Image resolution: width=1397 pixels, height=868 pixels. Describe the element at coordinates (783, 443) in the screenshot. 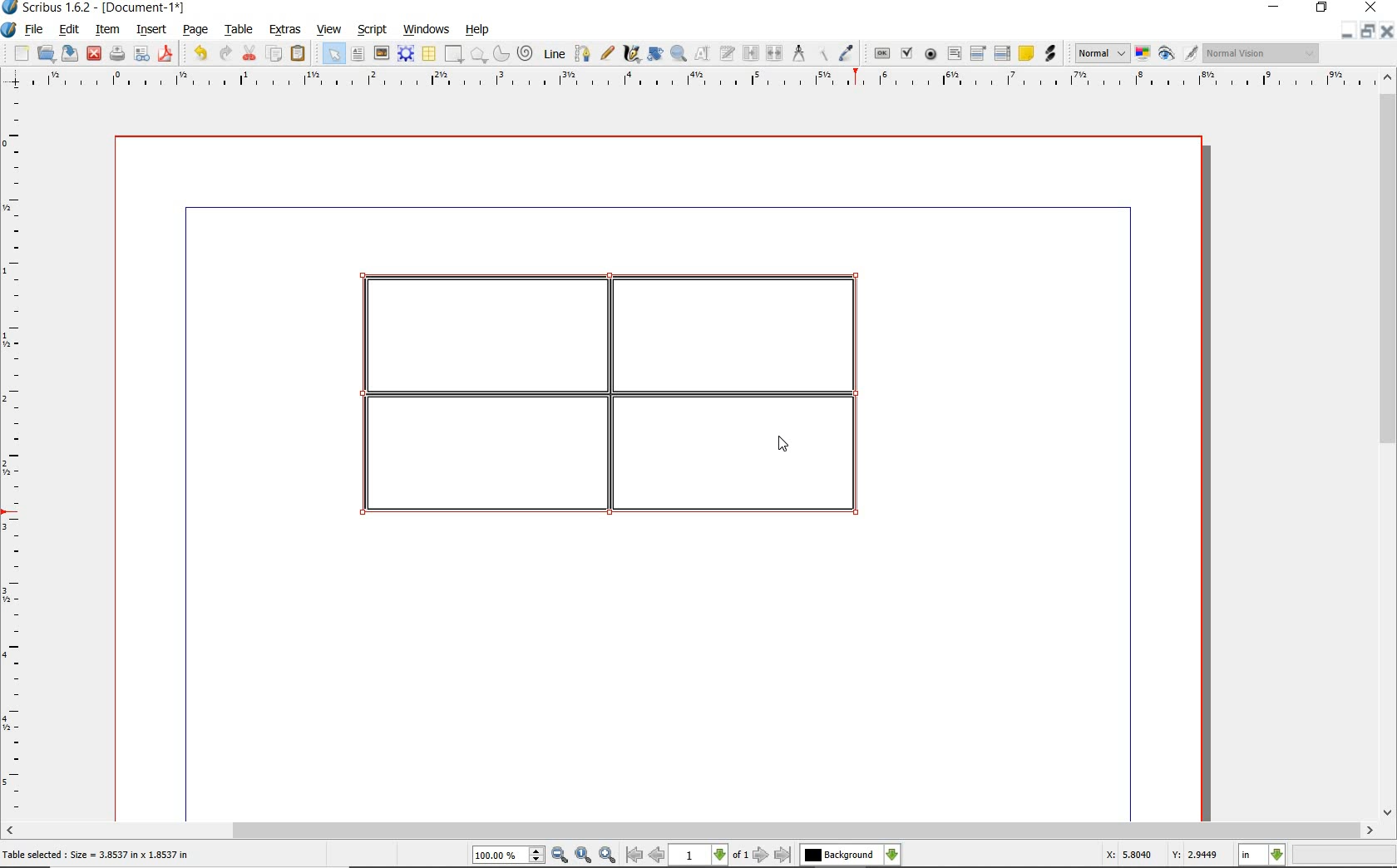

I see `cursor` at that location.